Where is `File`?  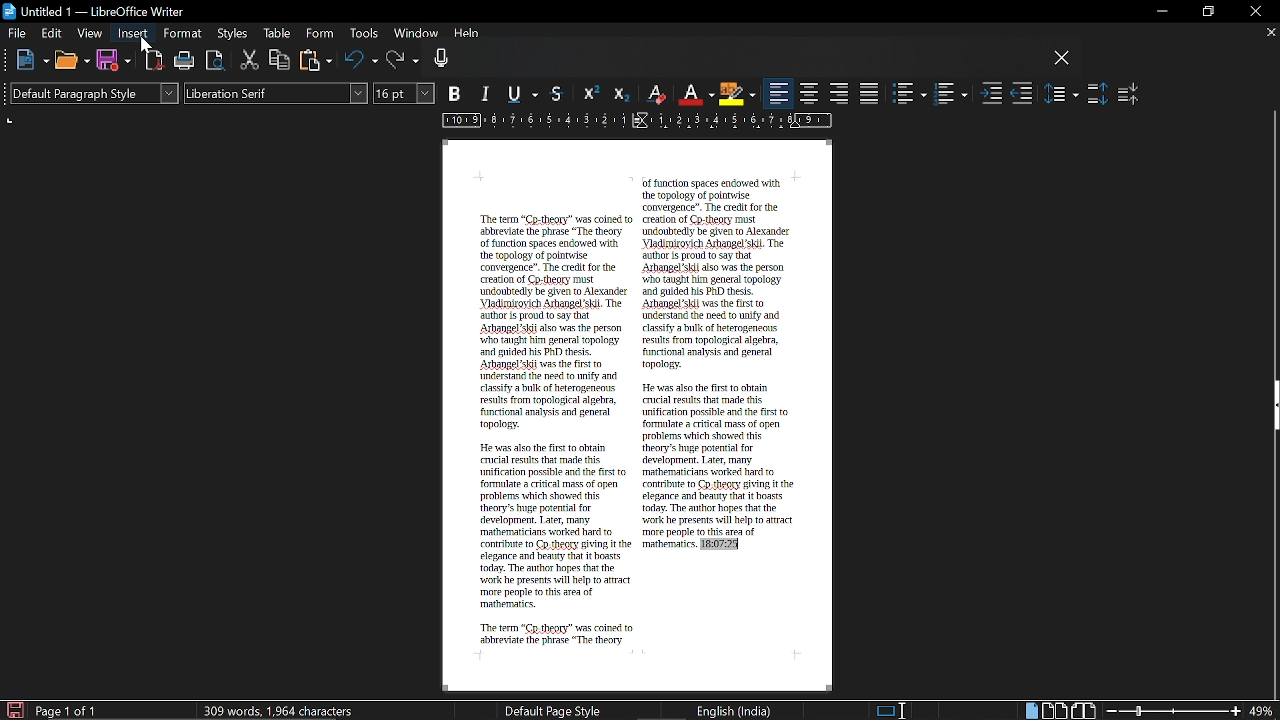 File is located at coordinates (17, 32).